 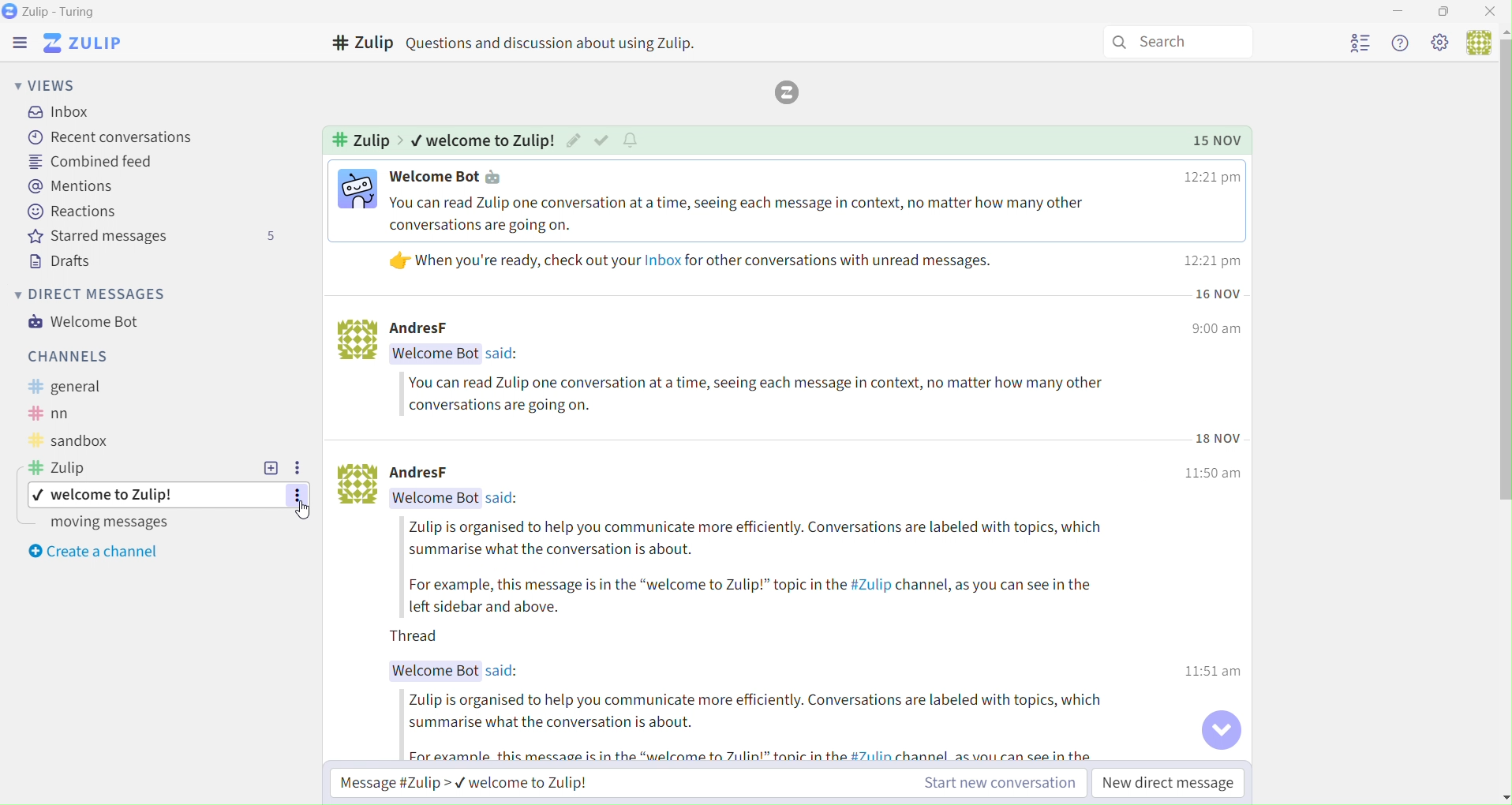 I want to click on Text, so click(x=443, y=177).